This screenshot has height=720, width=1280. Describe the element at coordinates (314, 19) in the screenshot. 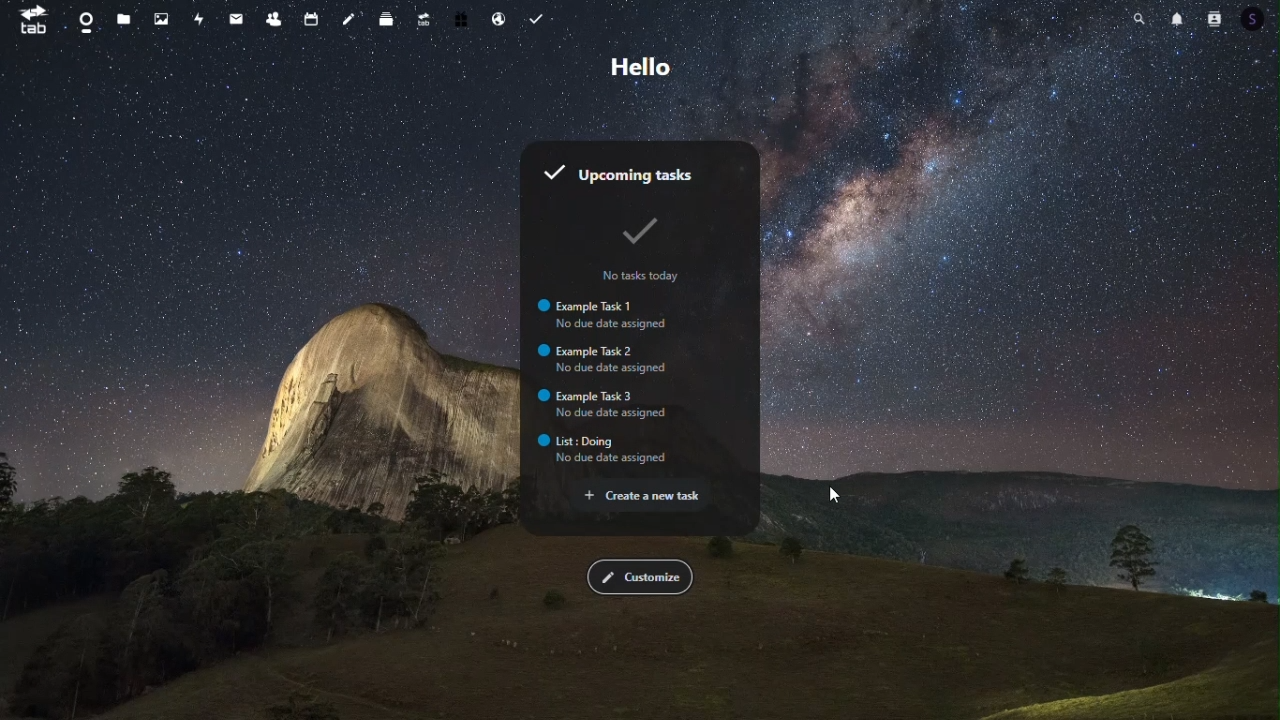

I see `calendar` at that location.